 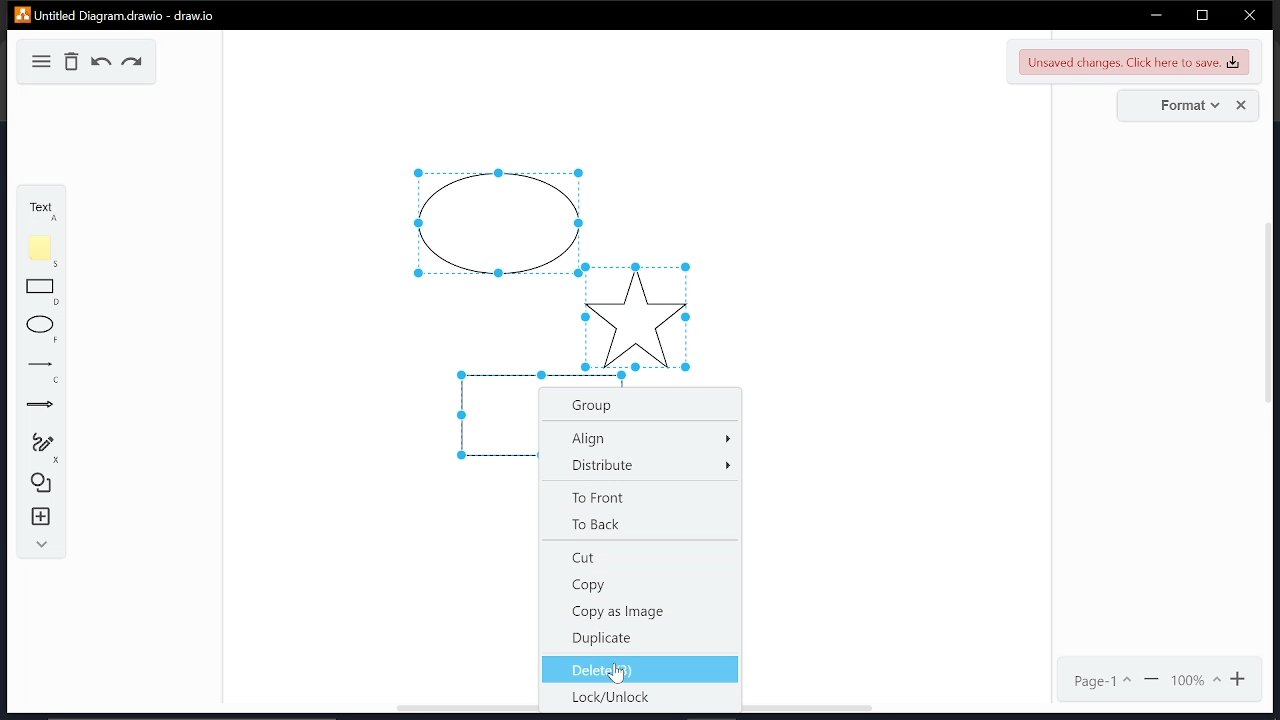 What do you see at coordinates (639, 559) in the screenshot?
I see `cut` at bounding box center [639, 559].